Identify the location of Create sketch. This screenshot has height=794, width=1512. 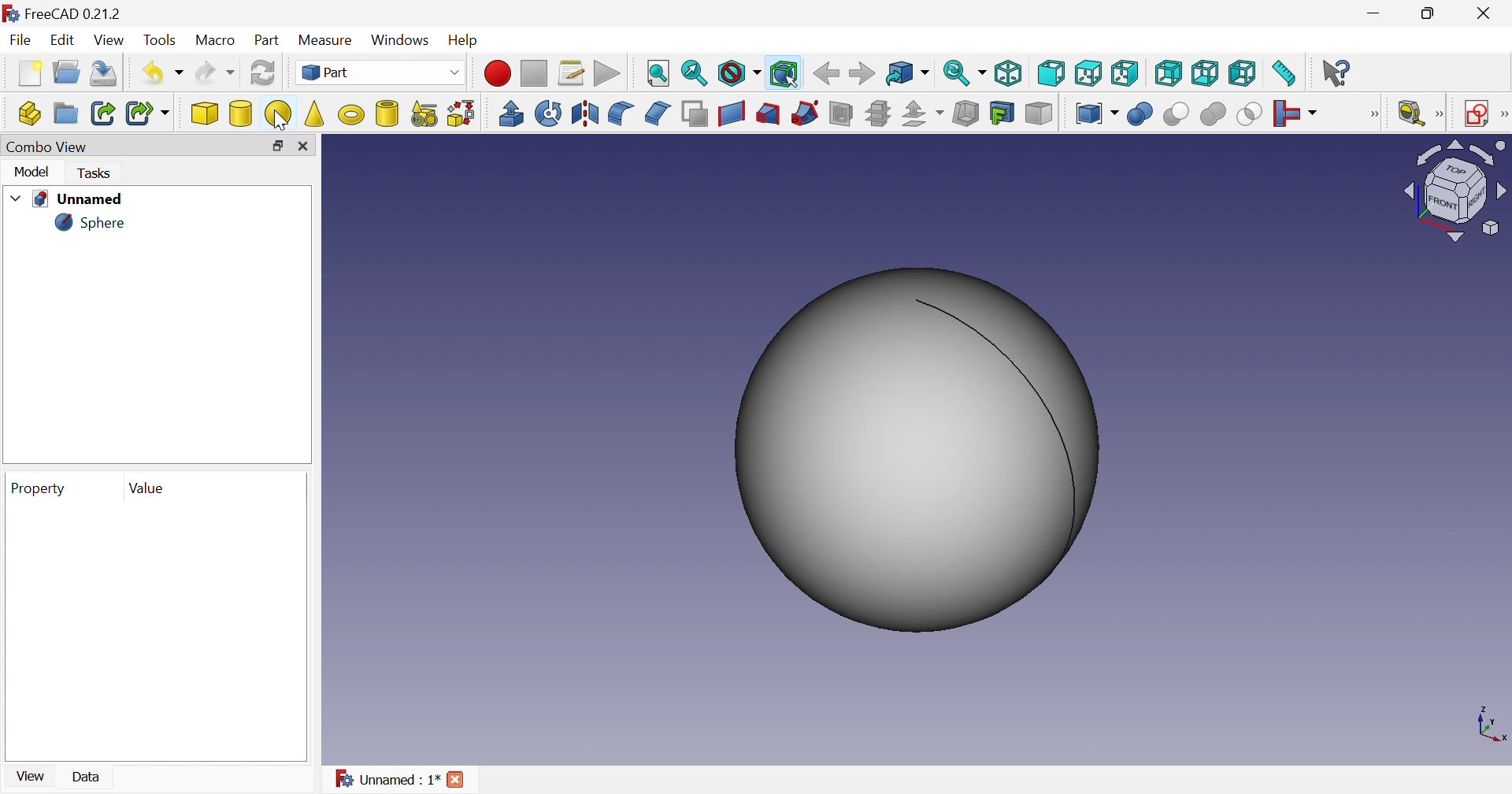
(1472, 113).